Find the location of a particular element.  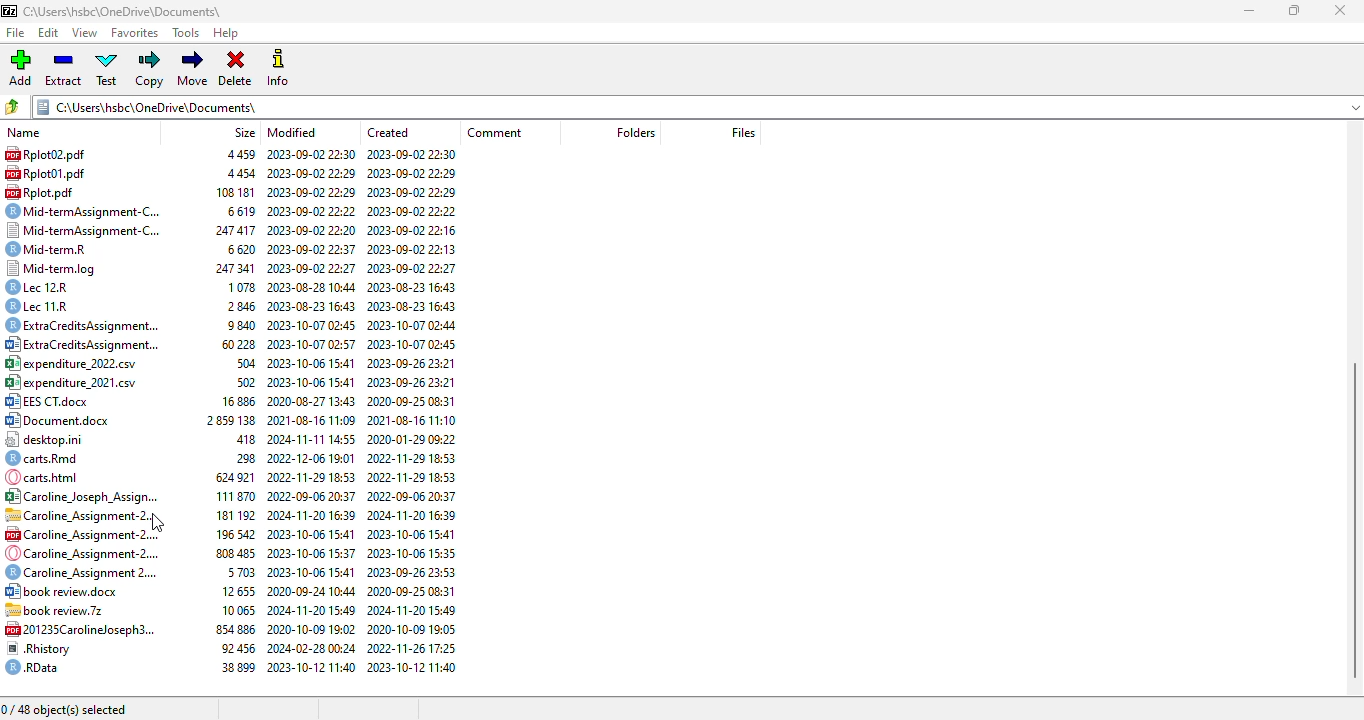

carts.html is located at coordinates (51, 476).